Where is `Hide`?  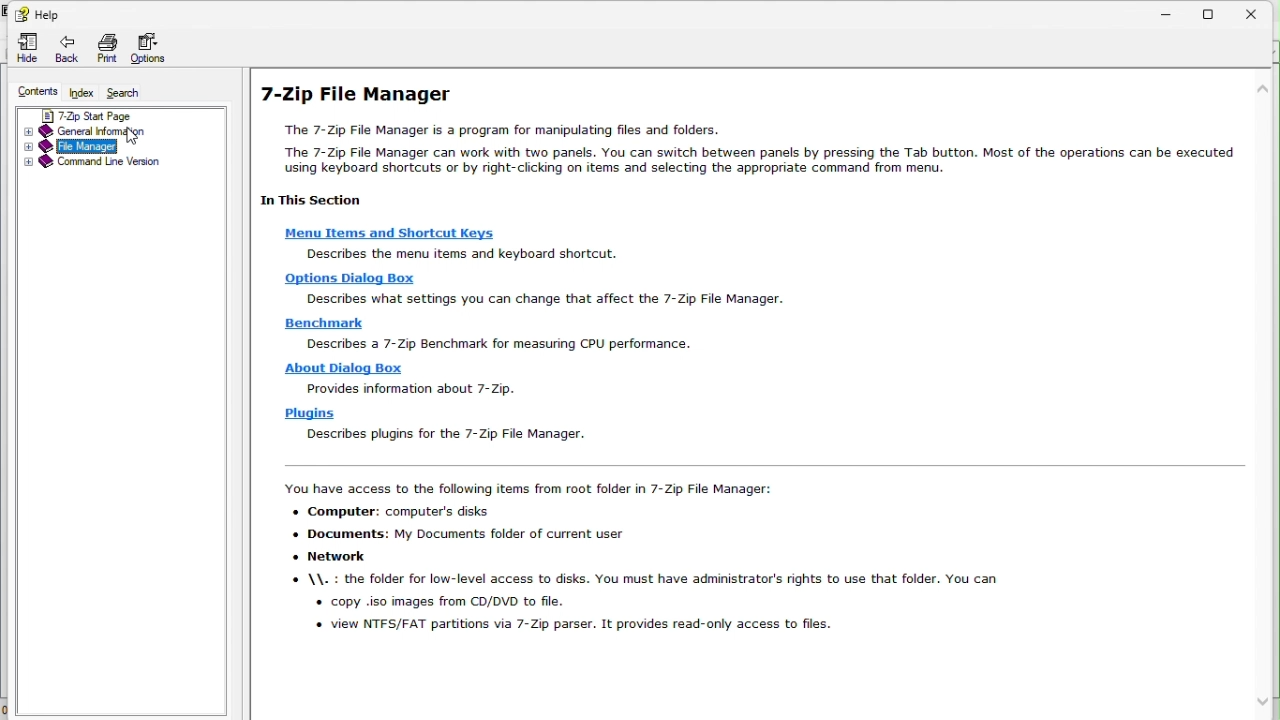
Hide is located at coordinates (22, 45).